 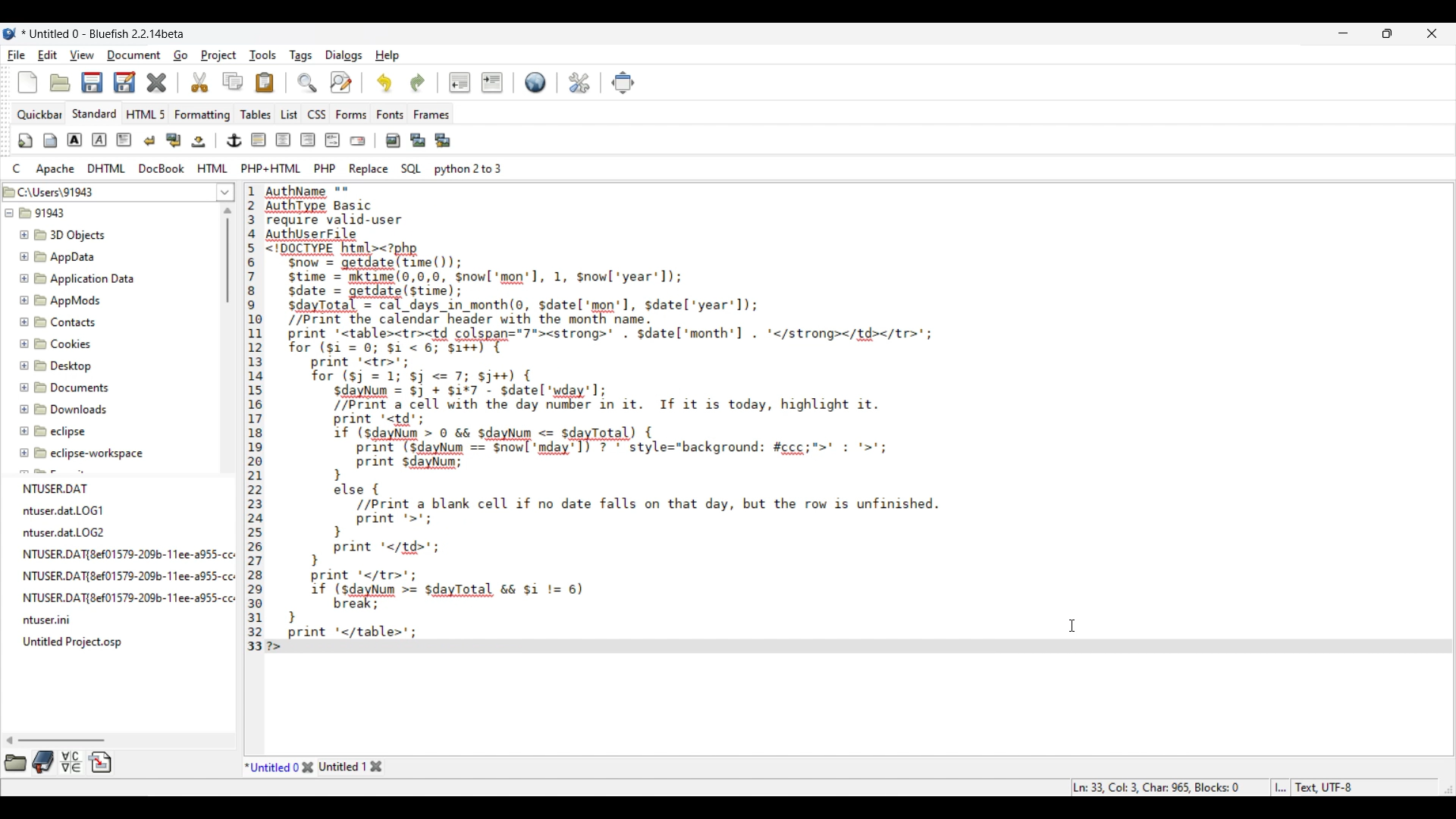 What do you see at coordinates (146, 114) in the screenshot?
I see `HTML 5` at bounding box center [146, 114].